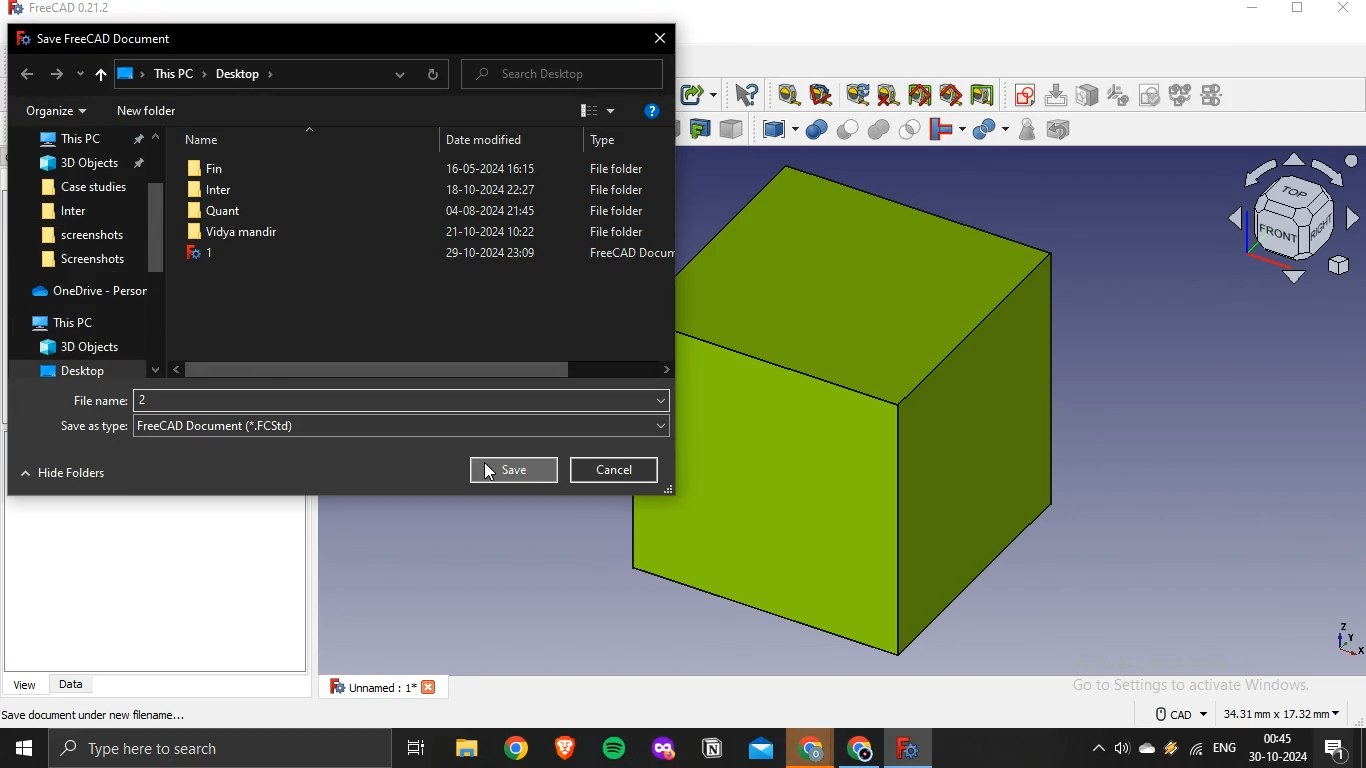  Describe the element at coordinates (1174, 750) in the screenshot. I see `winamp agent` at that location.